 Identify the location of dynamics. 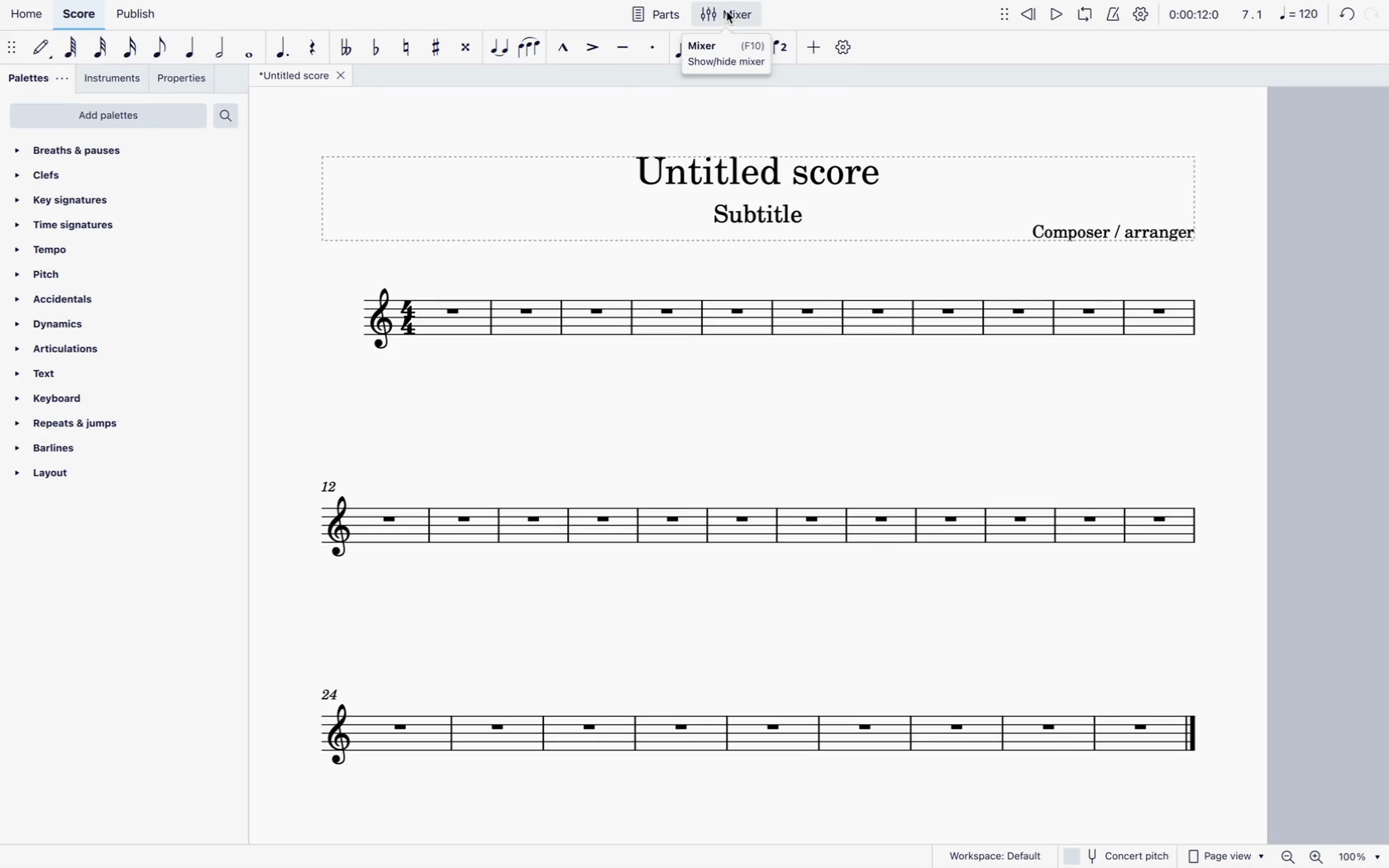
(88, 323).